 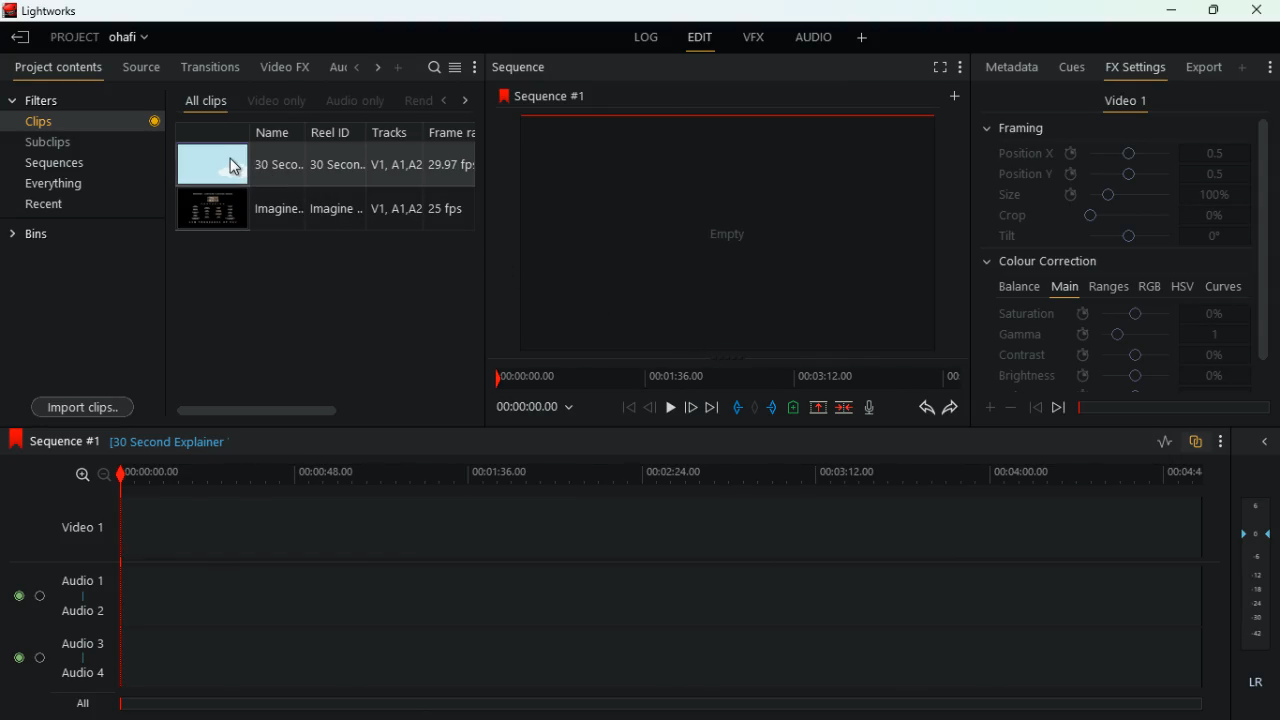 I want to click on more, so click(x=963, y=69).